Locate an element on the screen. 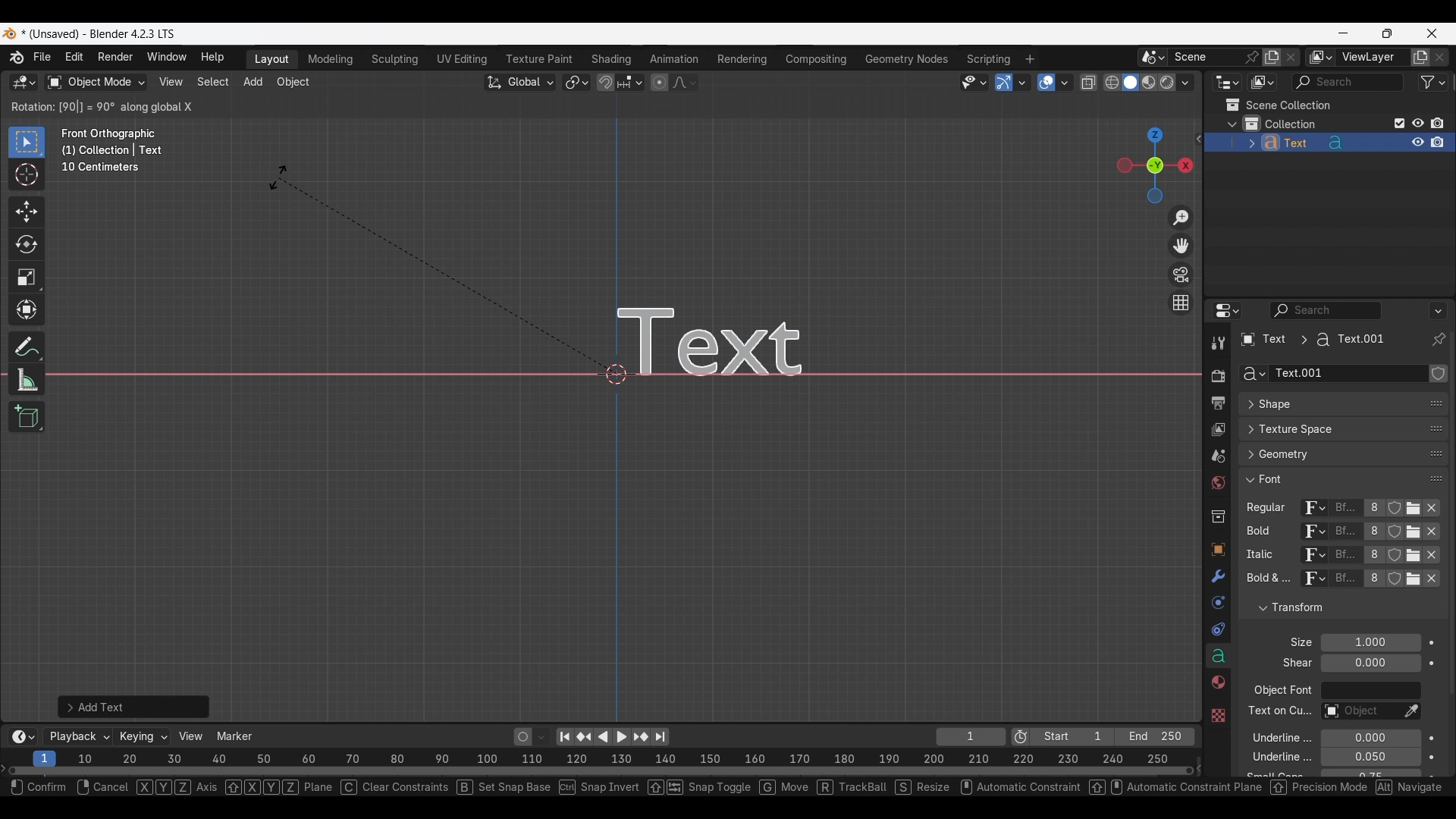 This screenshot has height=819, width=1456. Click to expand Geometry is located at coordinates (1328, 454).